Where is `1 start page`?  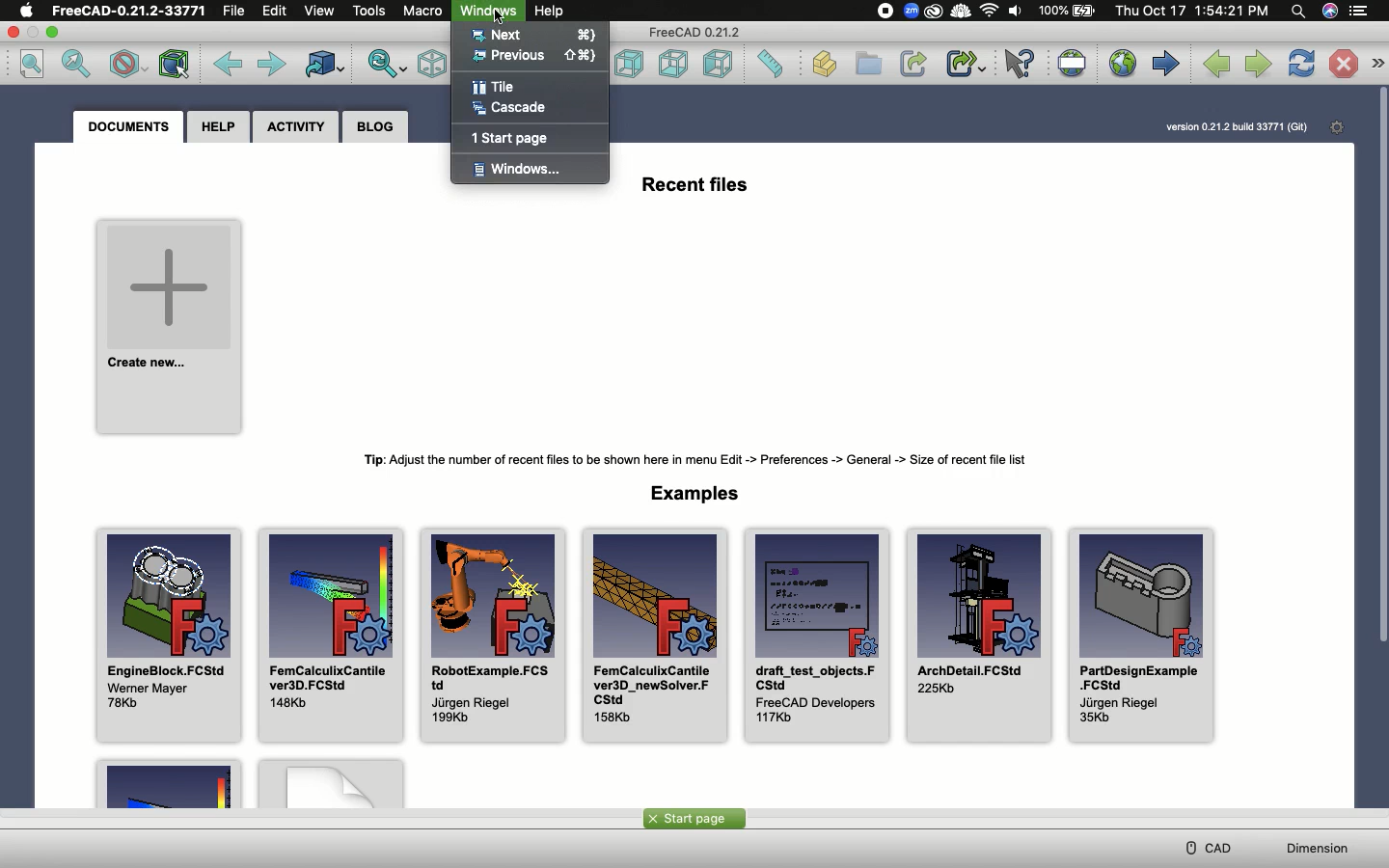
1 start page is located at coordinates (510, 136).